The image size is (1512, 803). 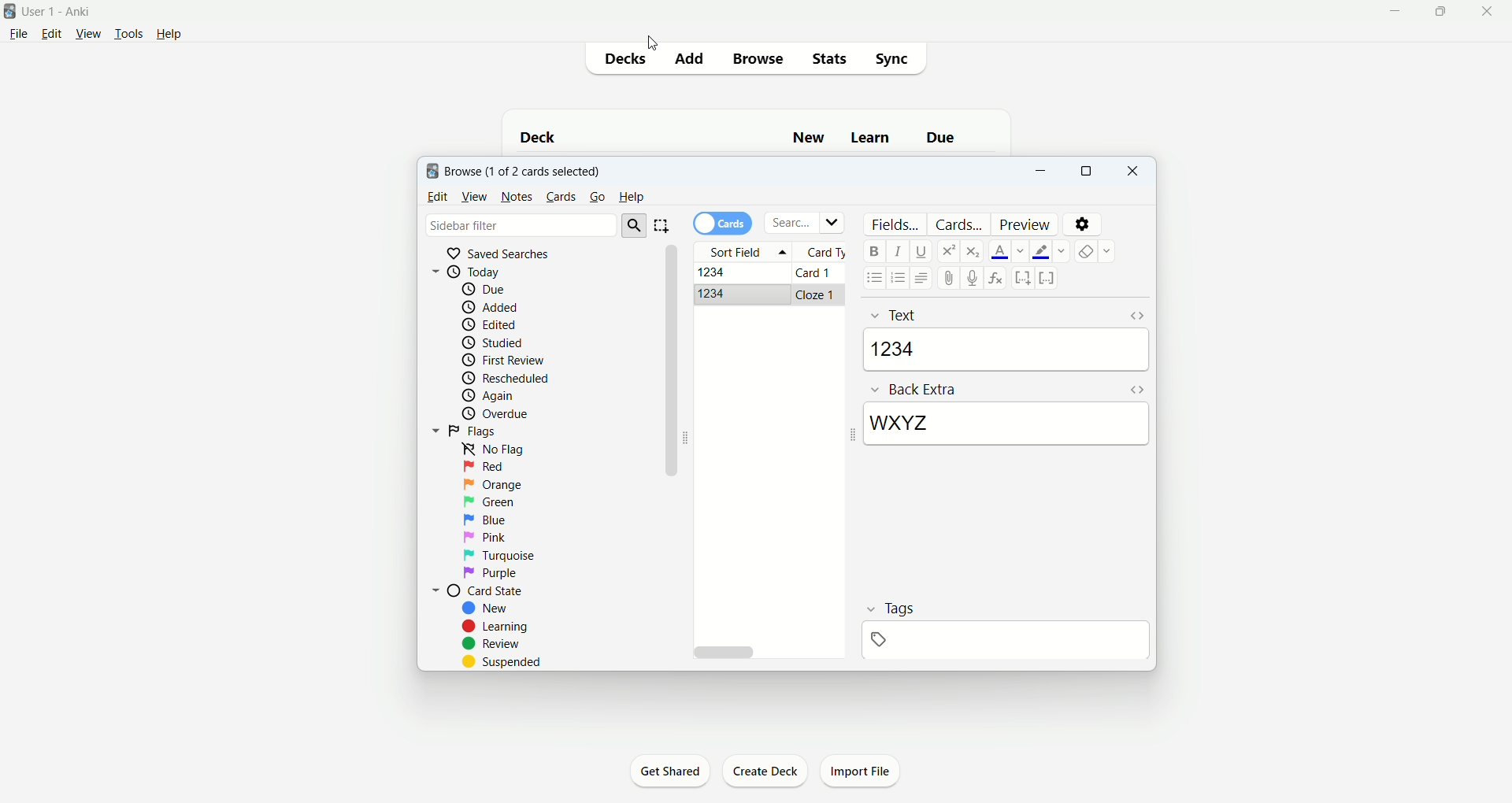 I want to click on browse, so click(x=758, y=58).